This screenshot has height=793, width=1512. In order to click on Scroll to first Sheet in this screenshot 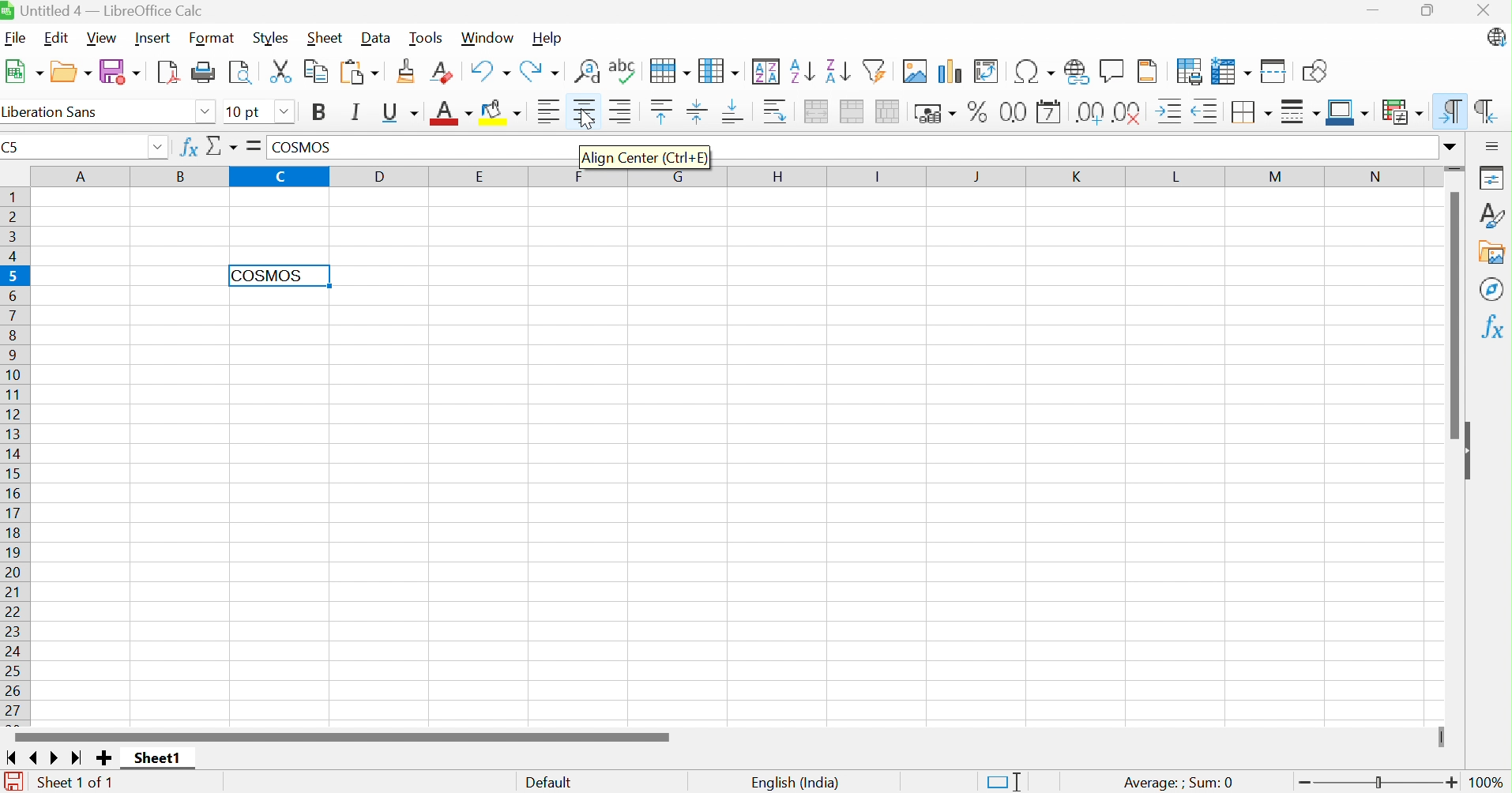, I will do `click(11, 758)`.